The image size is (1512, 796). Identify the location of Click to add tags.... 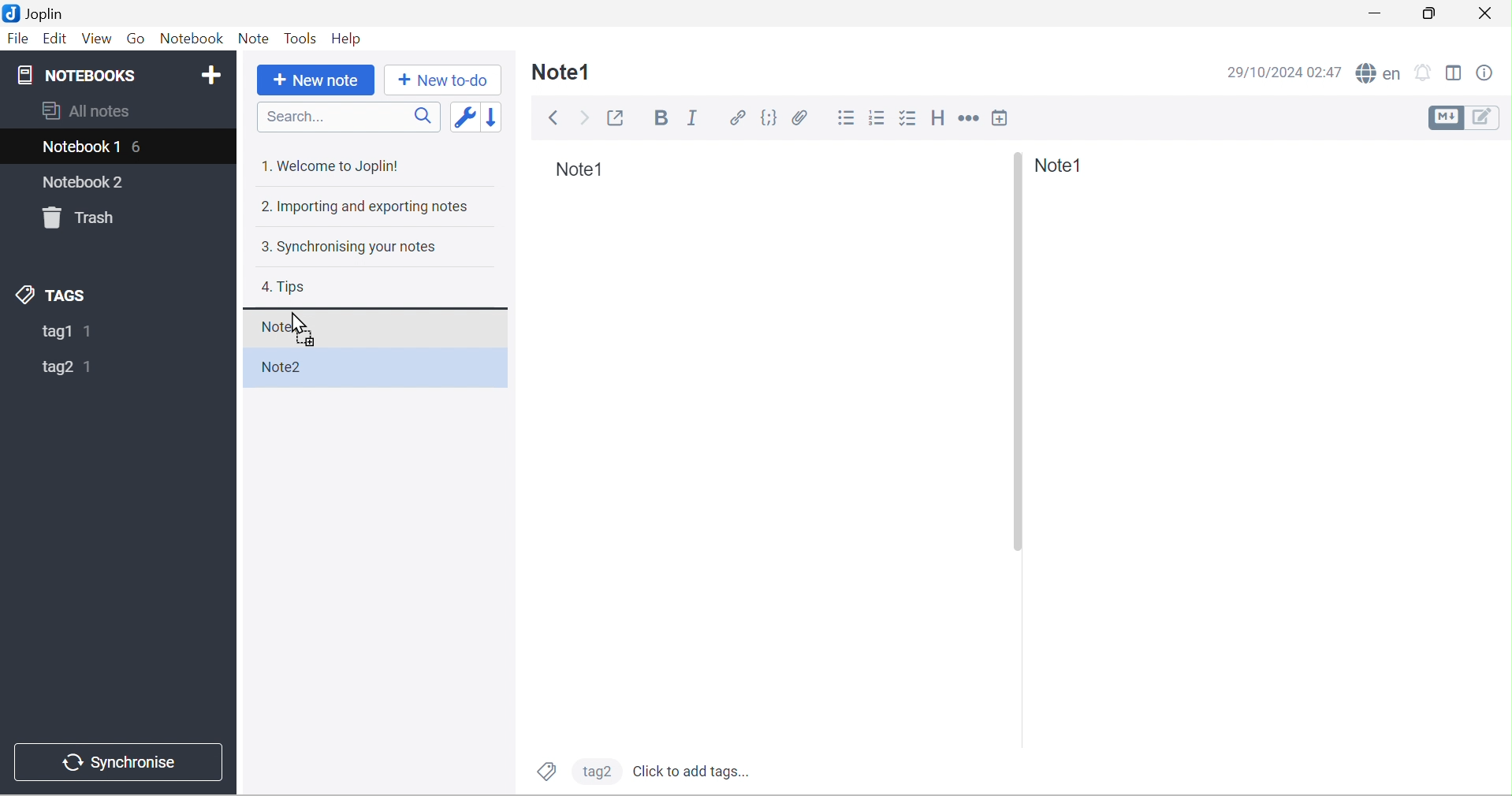
(690, 772).